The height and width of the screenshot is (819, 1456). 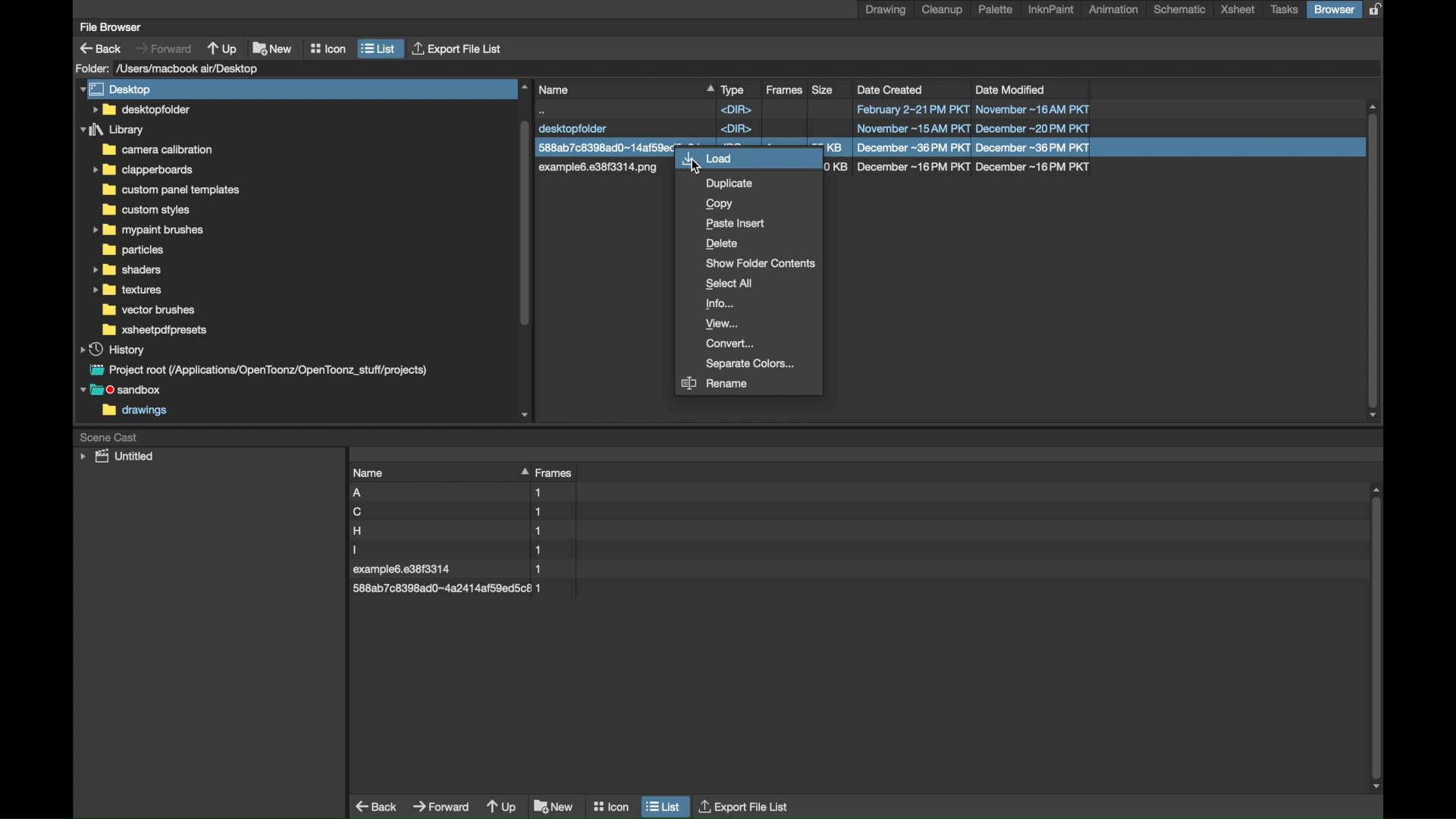 What do you see at coordinates (114, 349) in the screenshot?
I see `history` at bounding box center [114, 349].